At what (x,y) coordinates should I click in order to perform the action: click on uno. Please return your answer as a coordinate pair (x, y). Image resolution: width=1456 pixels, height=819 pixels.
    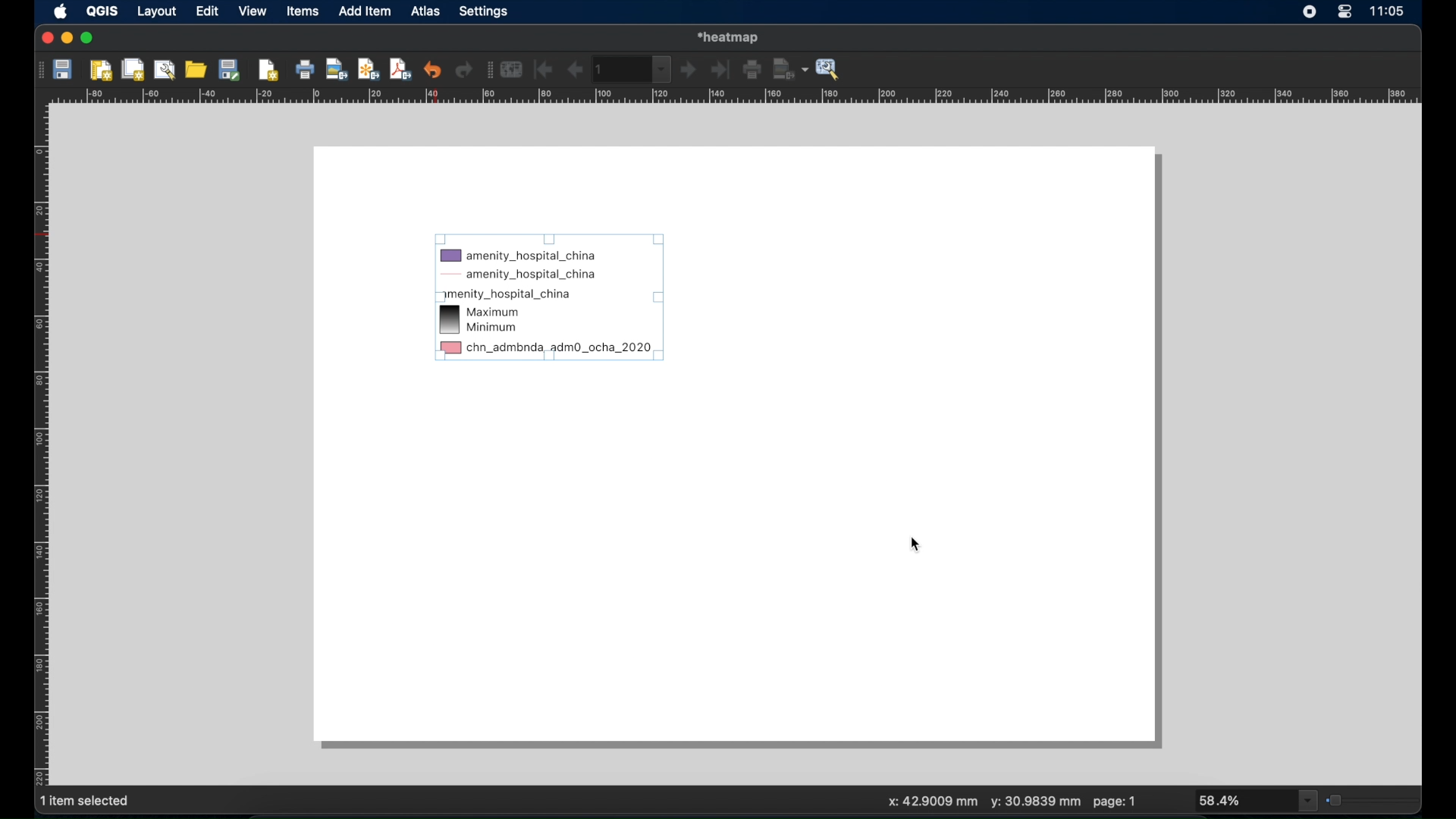
    Looking at the image, I should click on (433, 69).